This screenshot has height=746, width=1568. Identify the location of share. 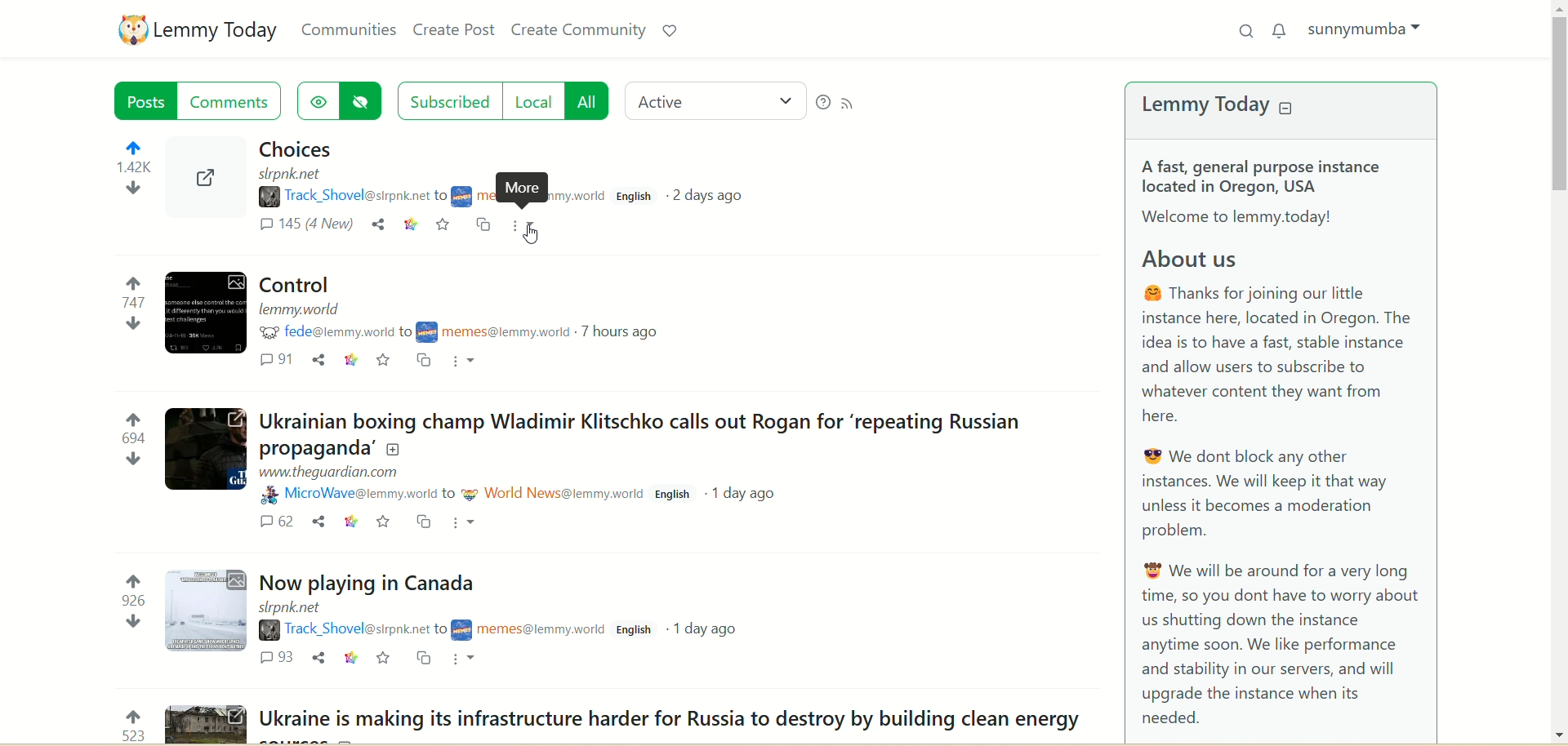
(318, 359).